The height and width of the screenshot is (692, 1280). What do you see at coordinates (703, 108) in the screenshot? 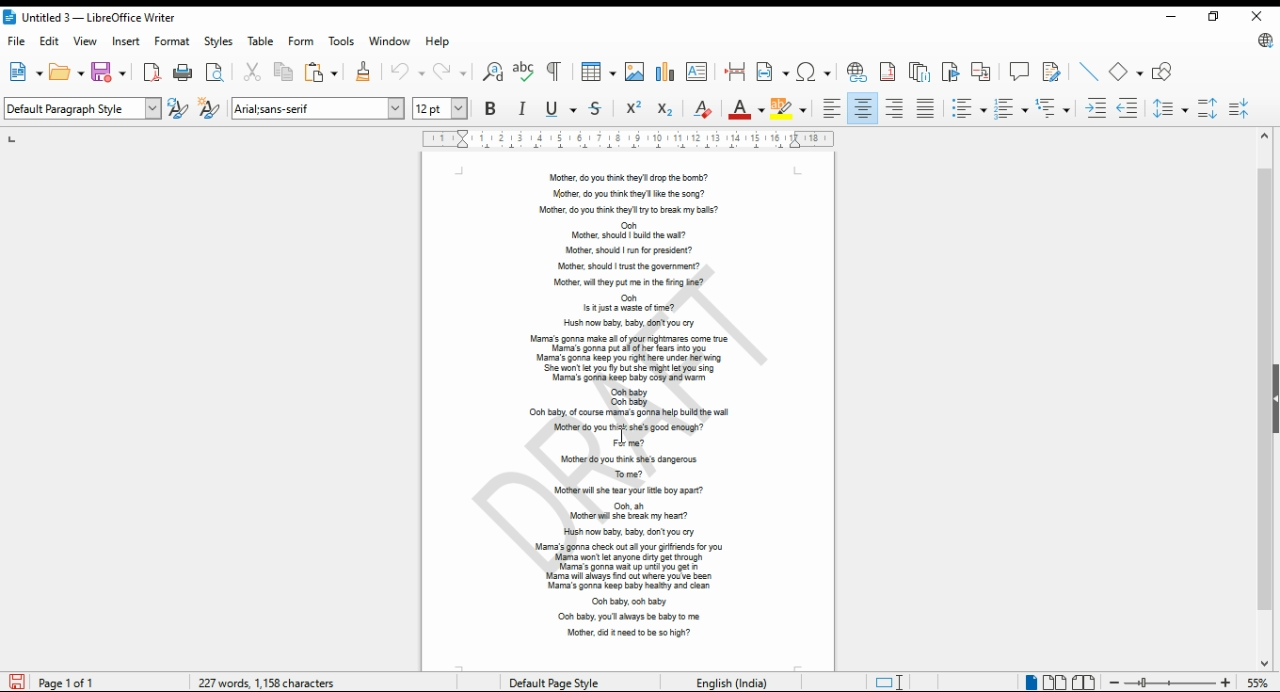
I see `clear direct formatting` at bounding box center [703, 108].